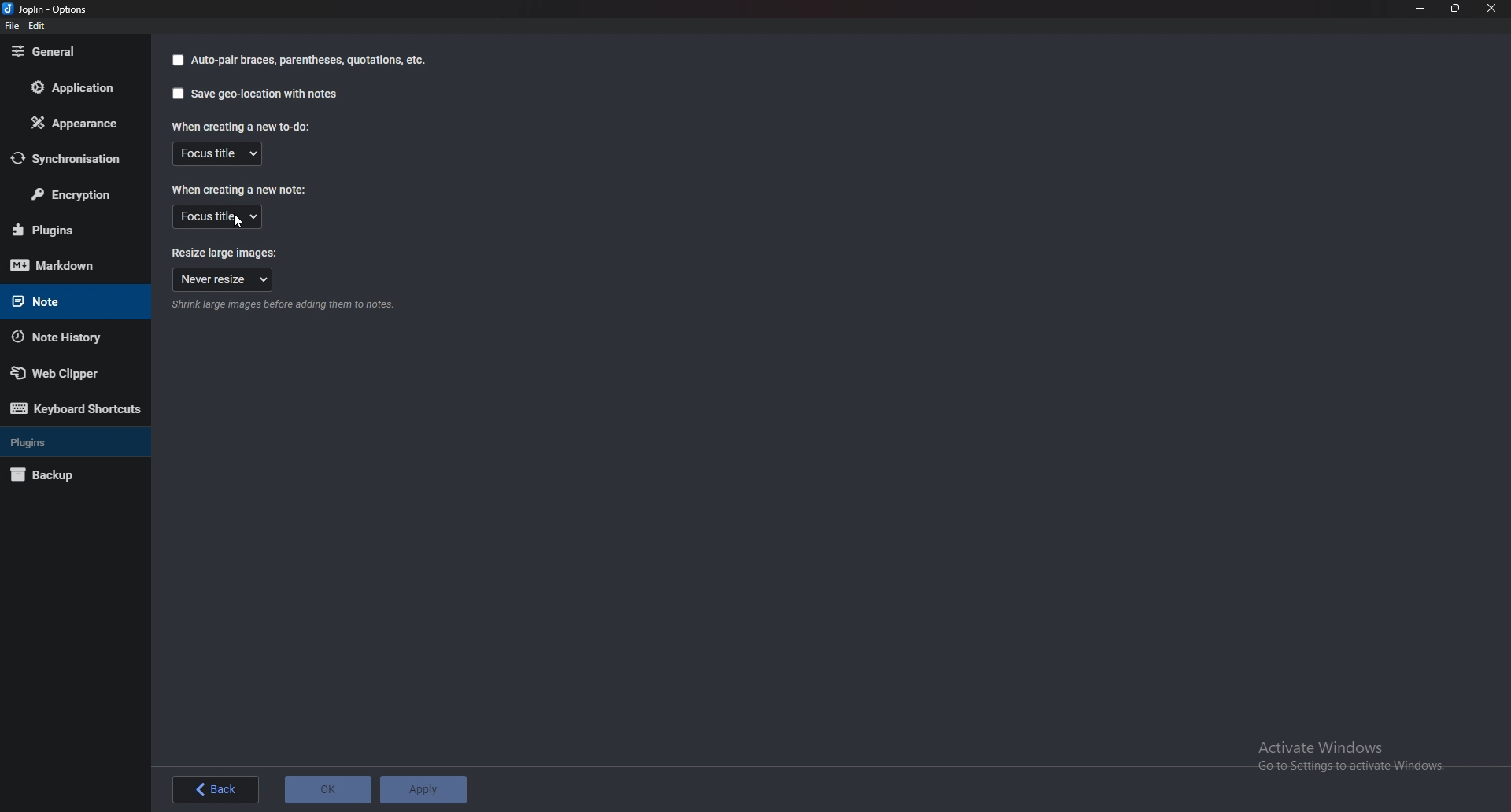 The height and width of the screenshot is (812, 1511). I want to click on Apply, so click(426, 789).